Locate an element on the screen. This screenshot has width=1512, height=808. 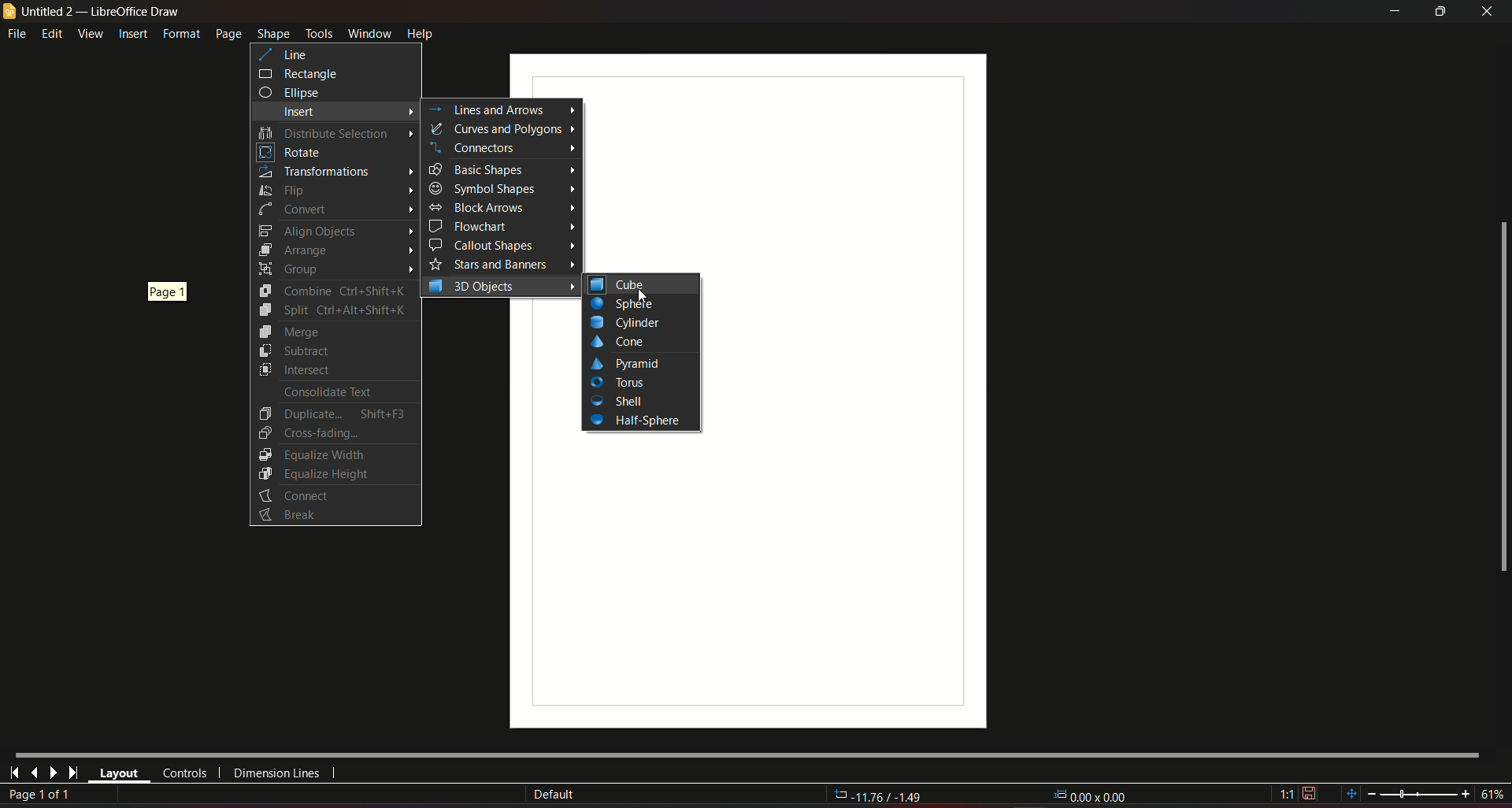
Callout shapes is located at coordinates (481, 245).